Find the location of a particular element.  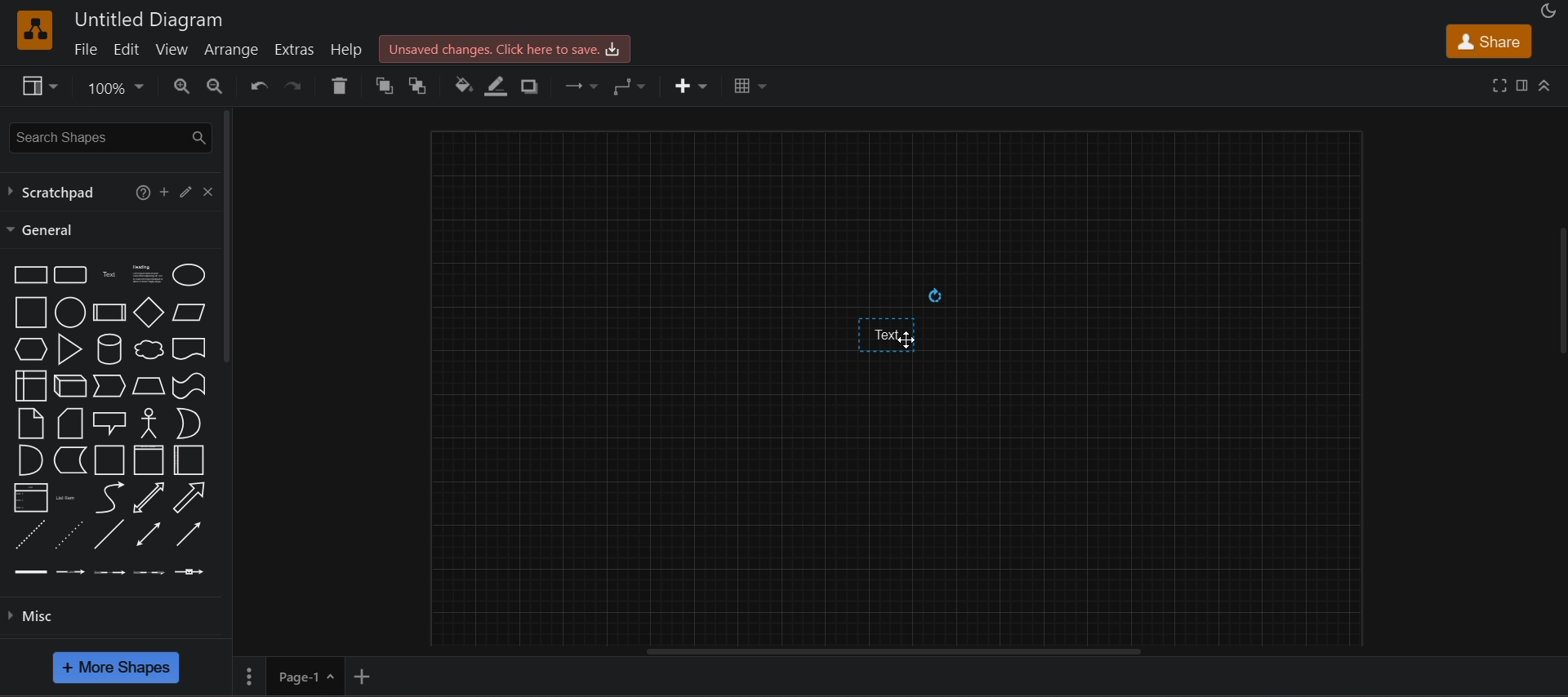

fullscreen is located at coordinates (1499, 85).